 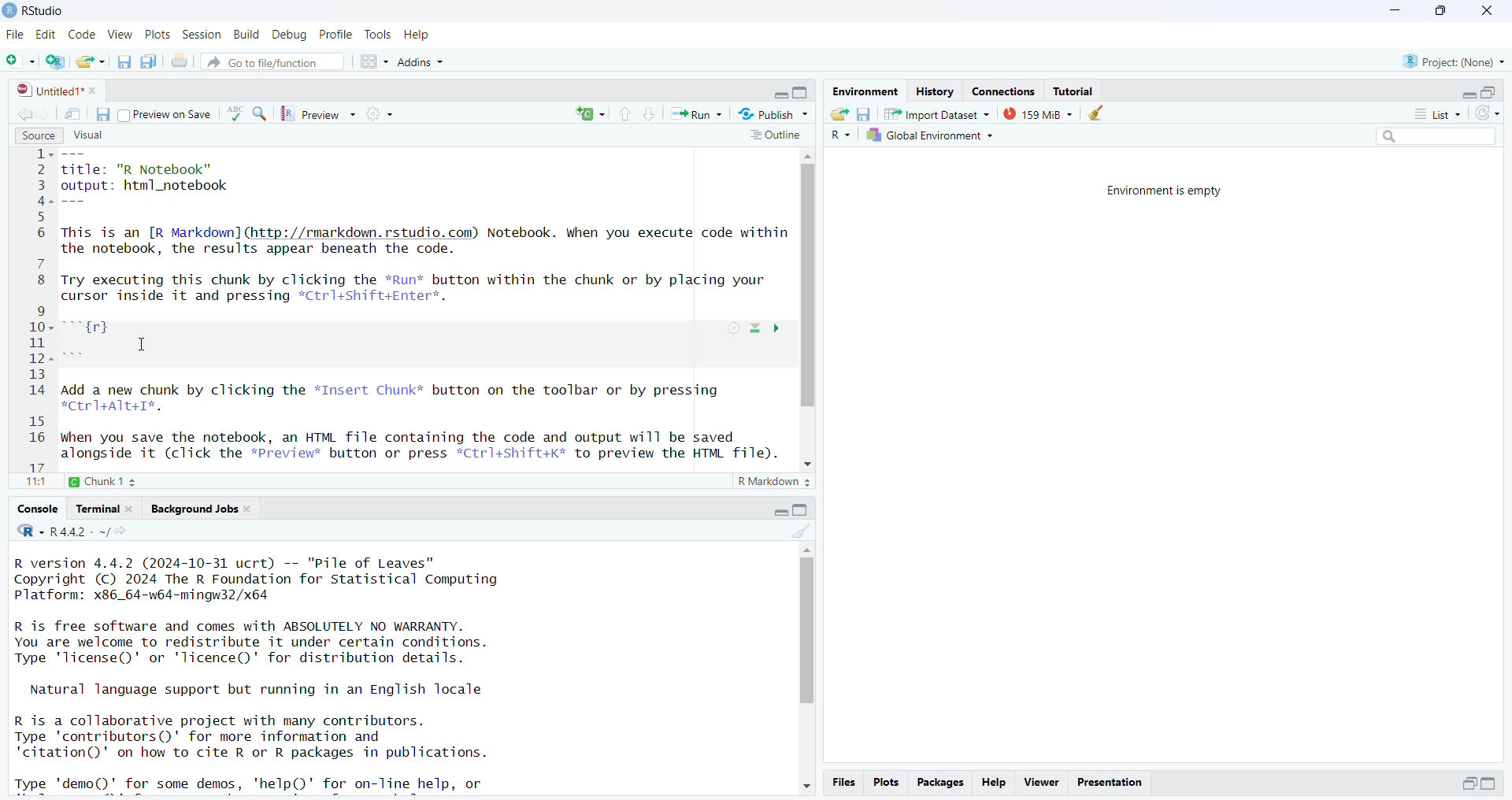 I want to click on R markdown, so click(x=776, y=483).